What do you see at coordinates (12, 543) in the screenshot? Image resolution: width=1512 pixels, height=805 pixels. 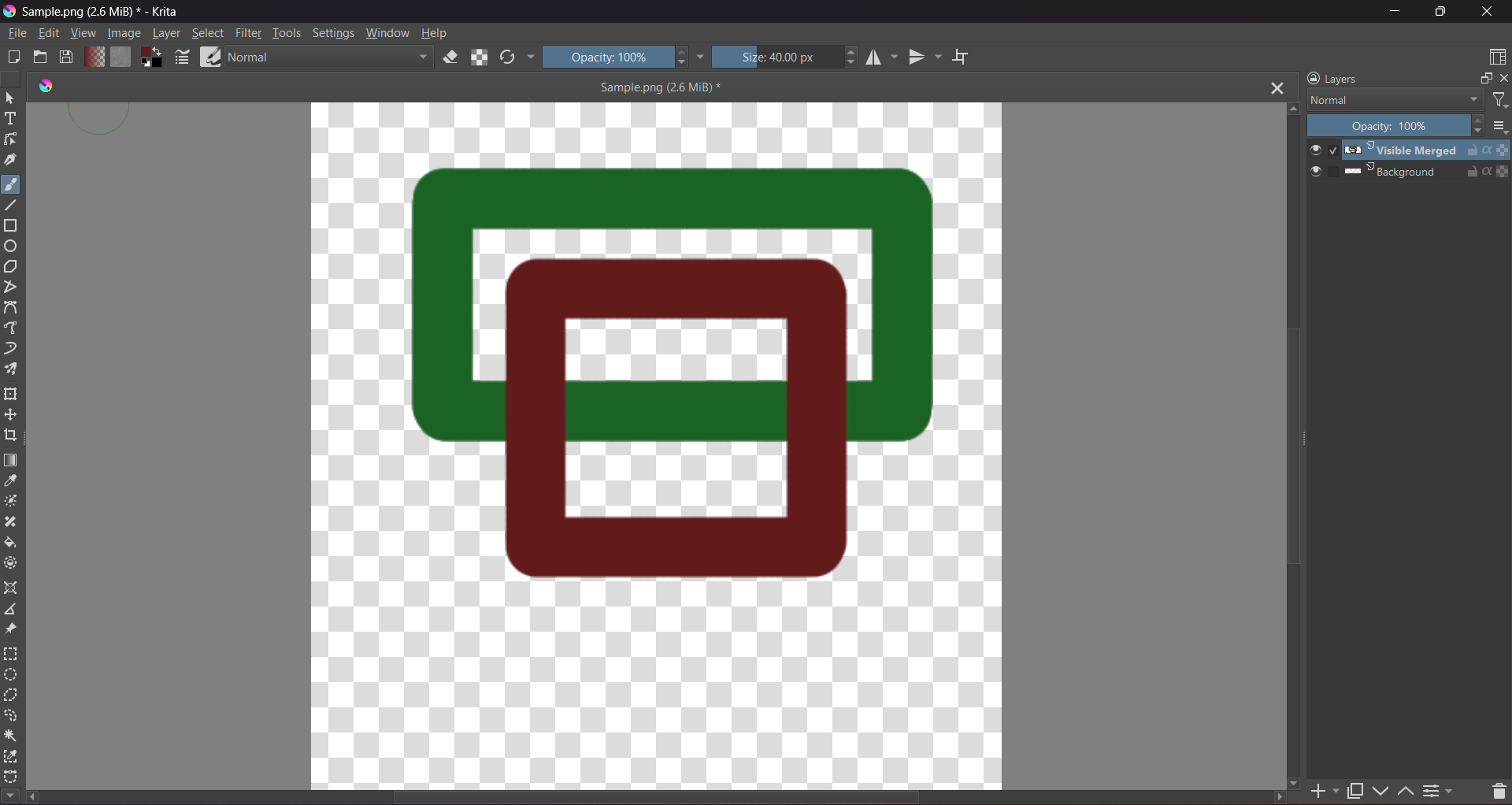 I see `Fill color` at bounding box center [12, 543].